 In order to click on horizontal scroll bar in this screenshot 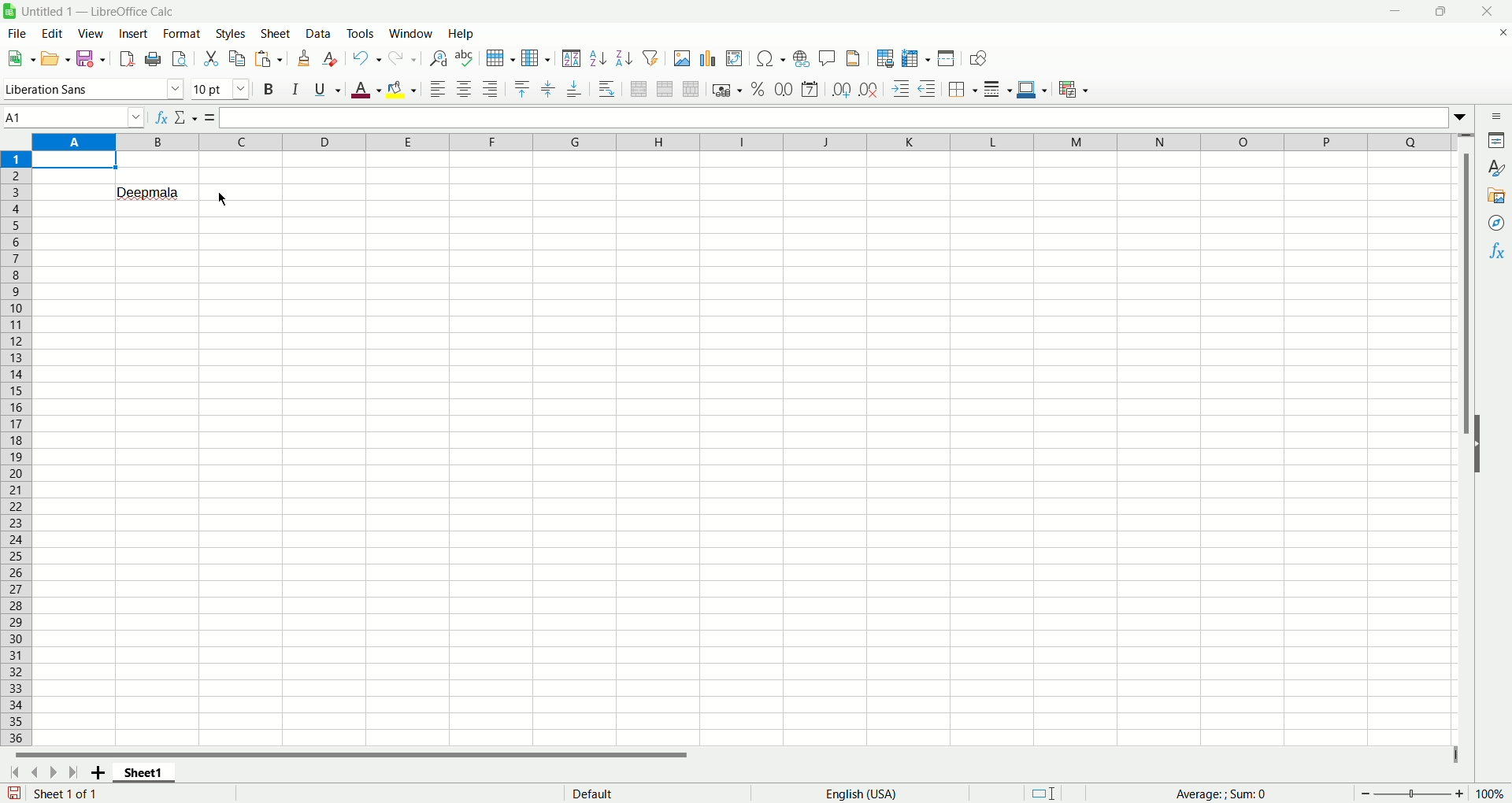, I will do `click(730, 759)`.